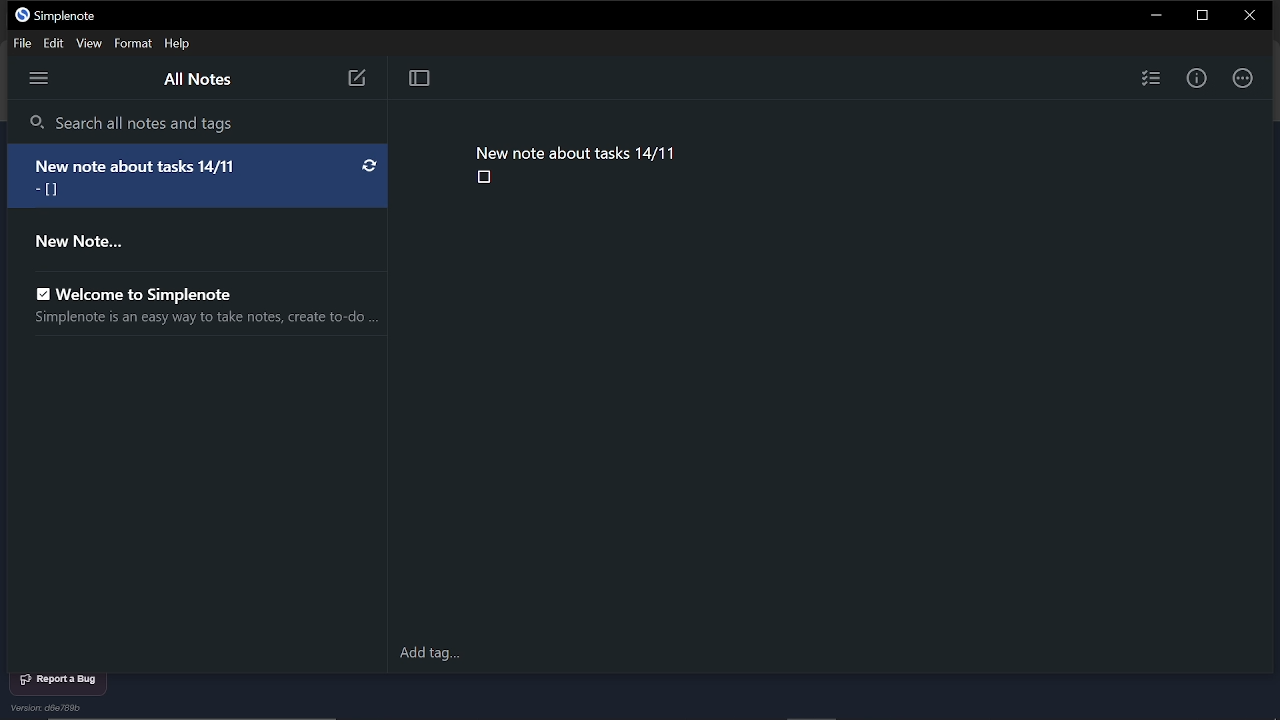 The width and height of the screenshot is (1280, 720). What do you see at coordinates (1154, 16) in the screenshot?
I see `Minimize` at bounding box center [1154, 16].